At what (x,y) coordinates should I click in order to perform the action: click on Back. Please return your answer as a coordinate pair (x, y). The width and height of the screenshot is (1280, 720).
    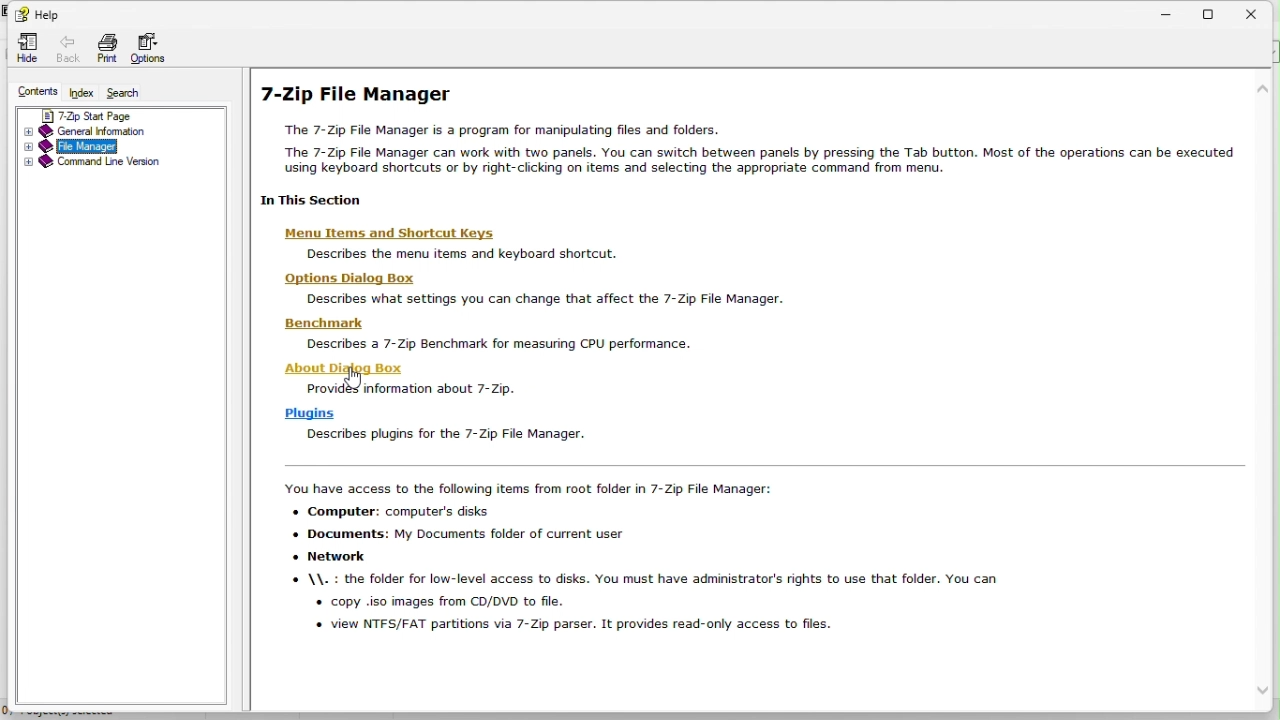
    Looking at the image, I should click on (68, 48).